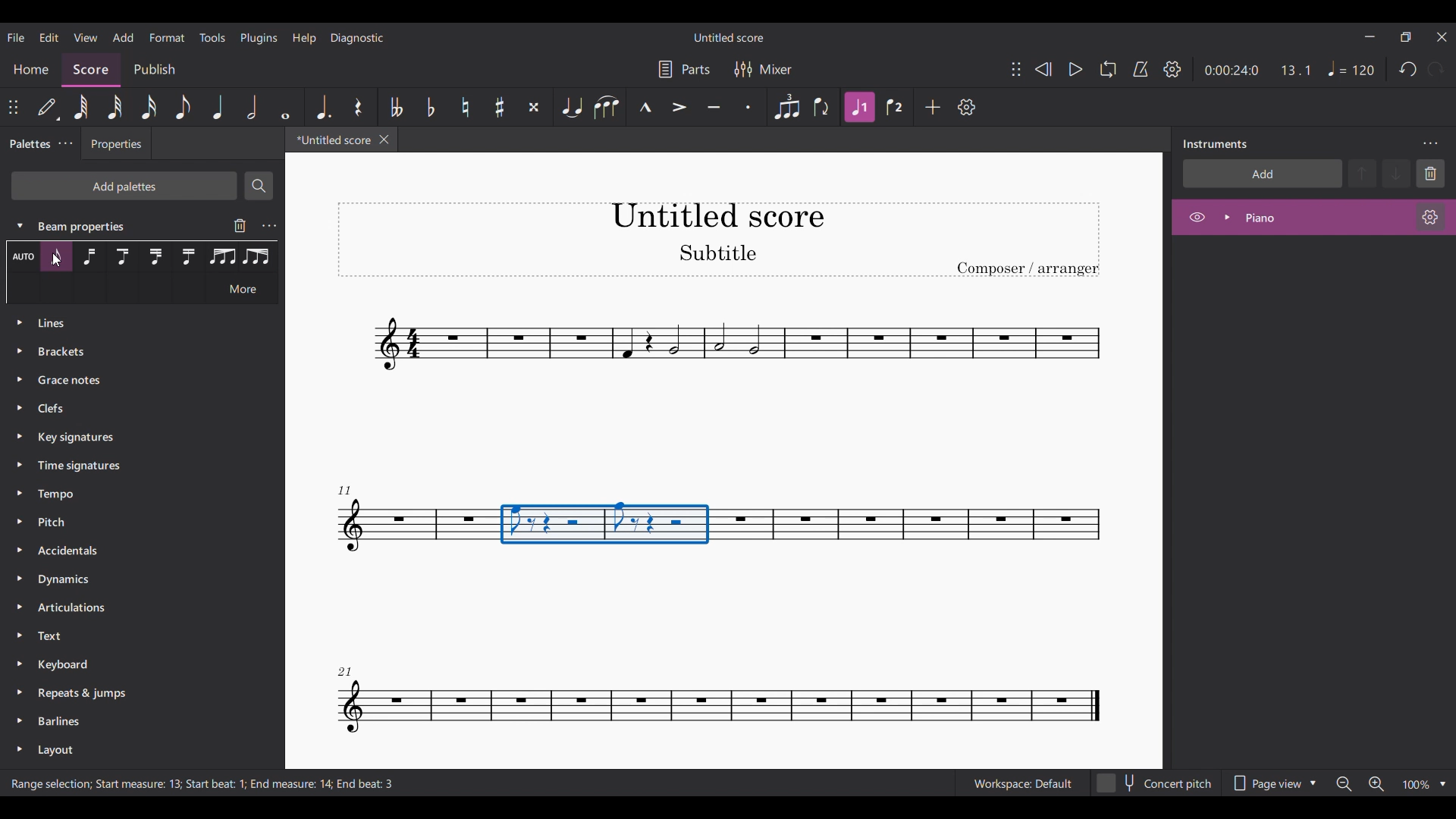 The height and width of the screenshot is (819, 1456). I want to click on Show in smaller tab, so click(1405, 36).